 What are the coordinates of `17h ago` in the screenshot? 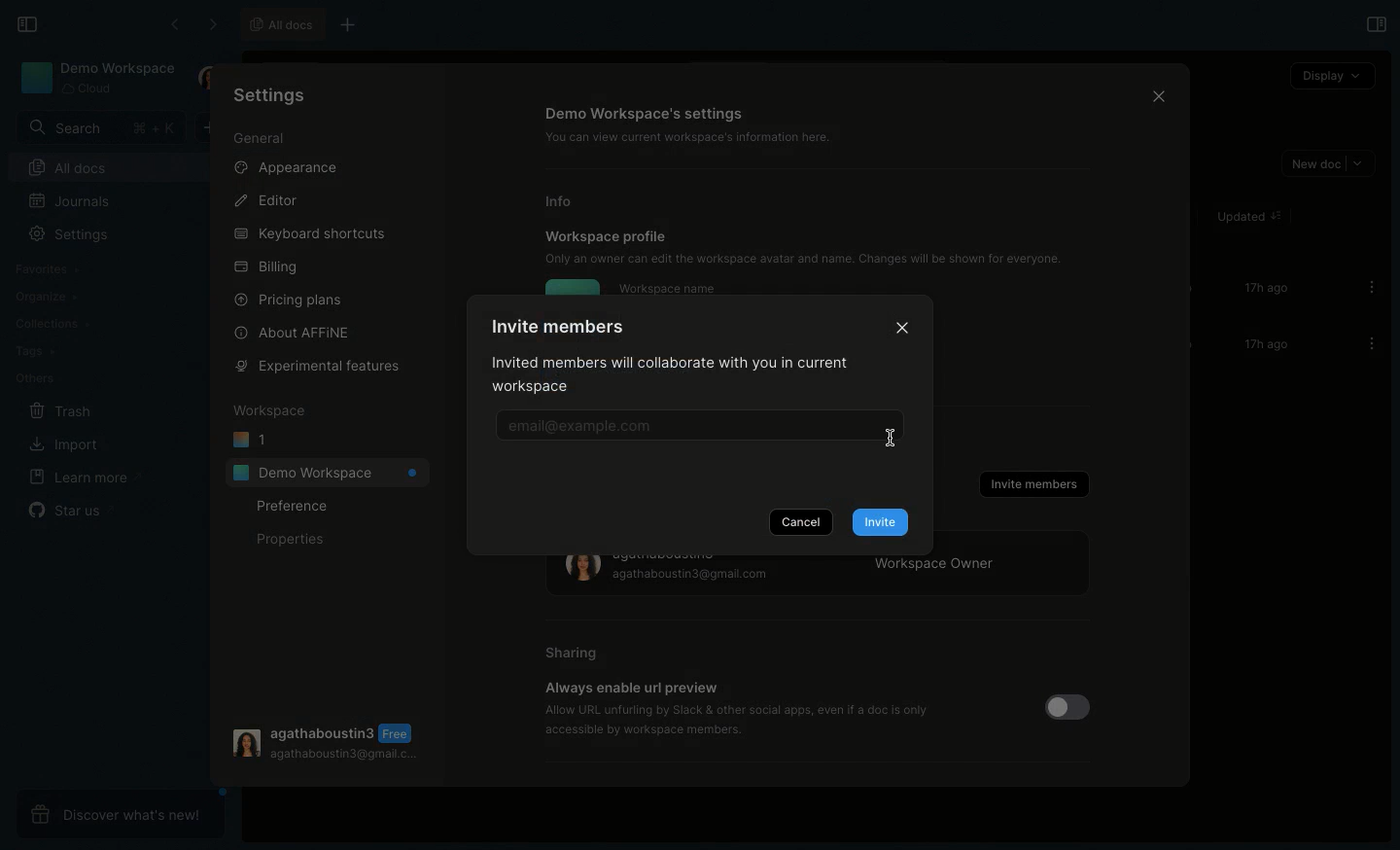 It's located at (1262, 290).